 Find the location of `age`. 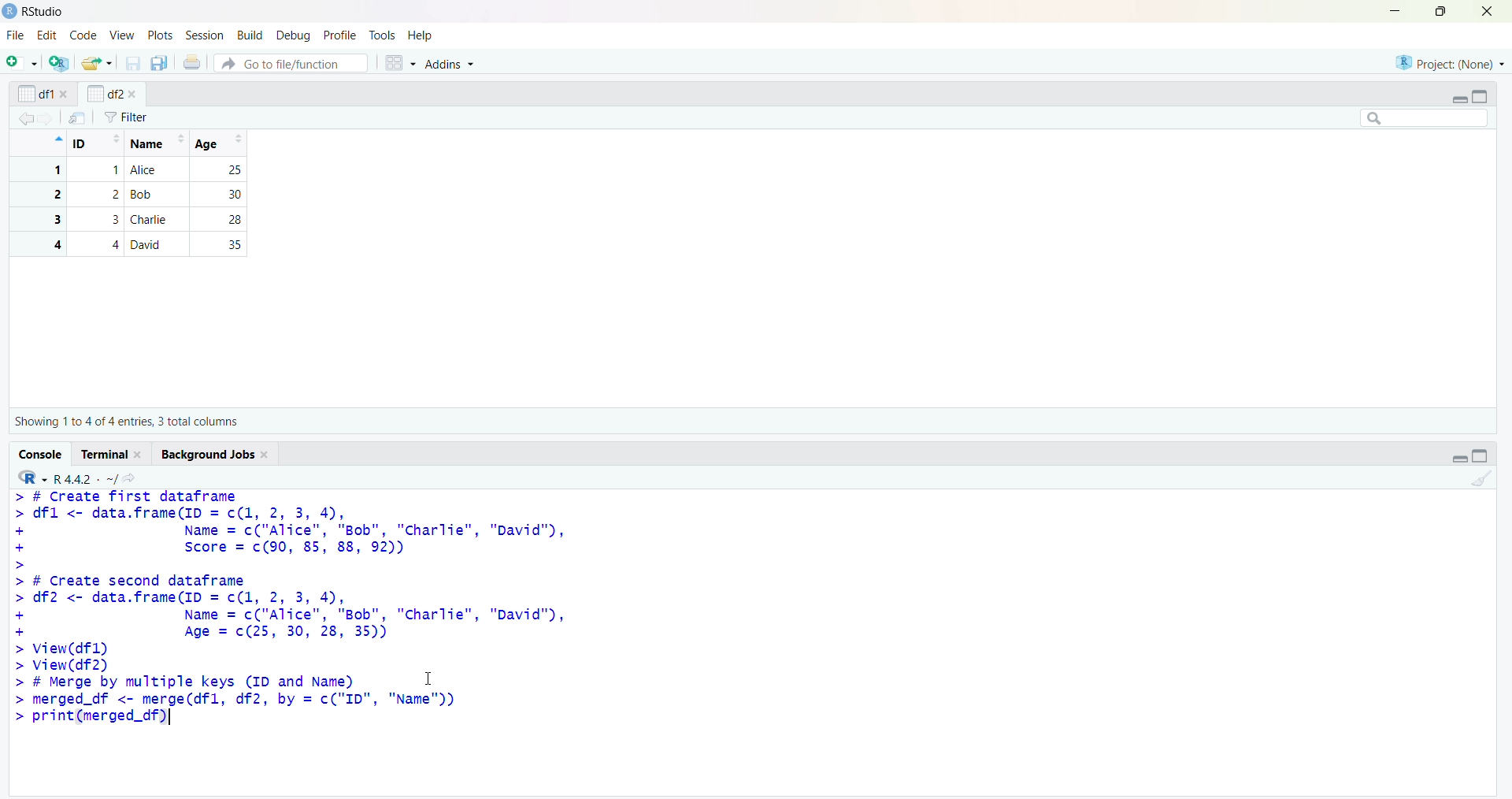

age is located at coordinates (222, 143).